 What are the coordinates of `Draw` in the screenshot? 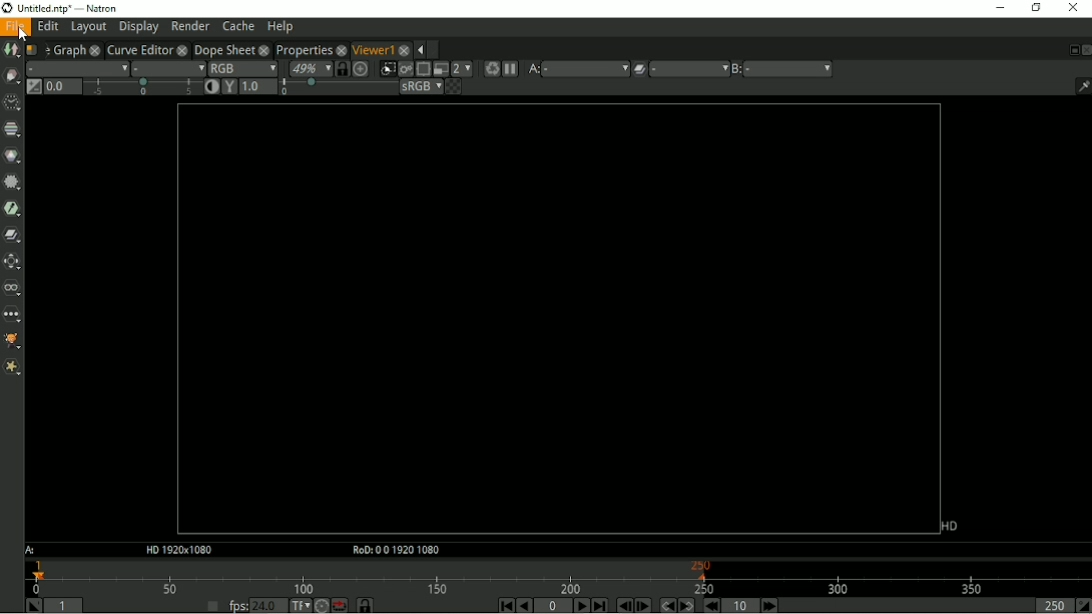 It's located at (12, 76).